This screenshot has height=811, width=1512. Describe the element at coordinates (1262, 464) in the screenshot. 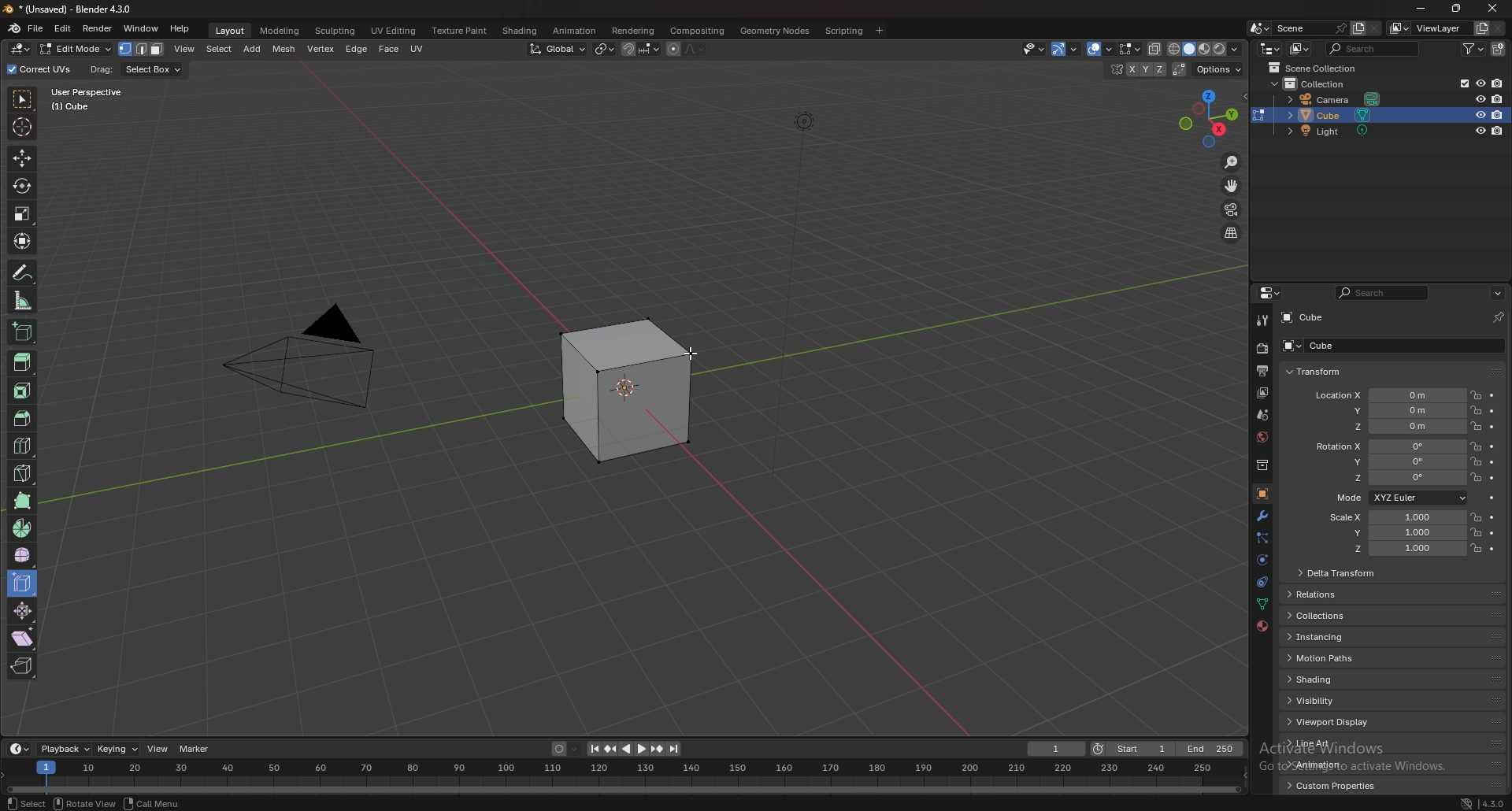

I see `collection` at that location.